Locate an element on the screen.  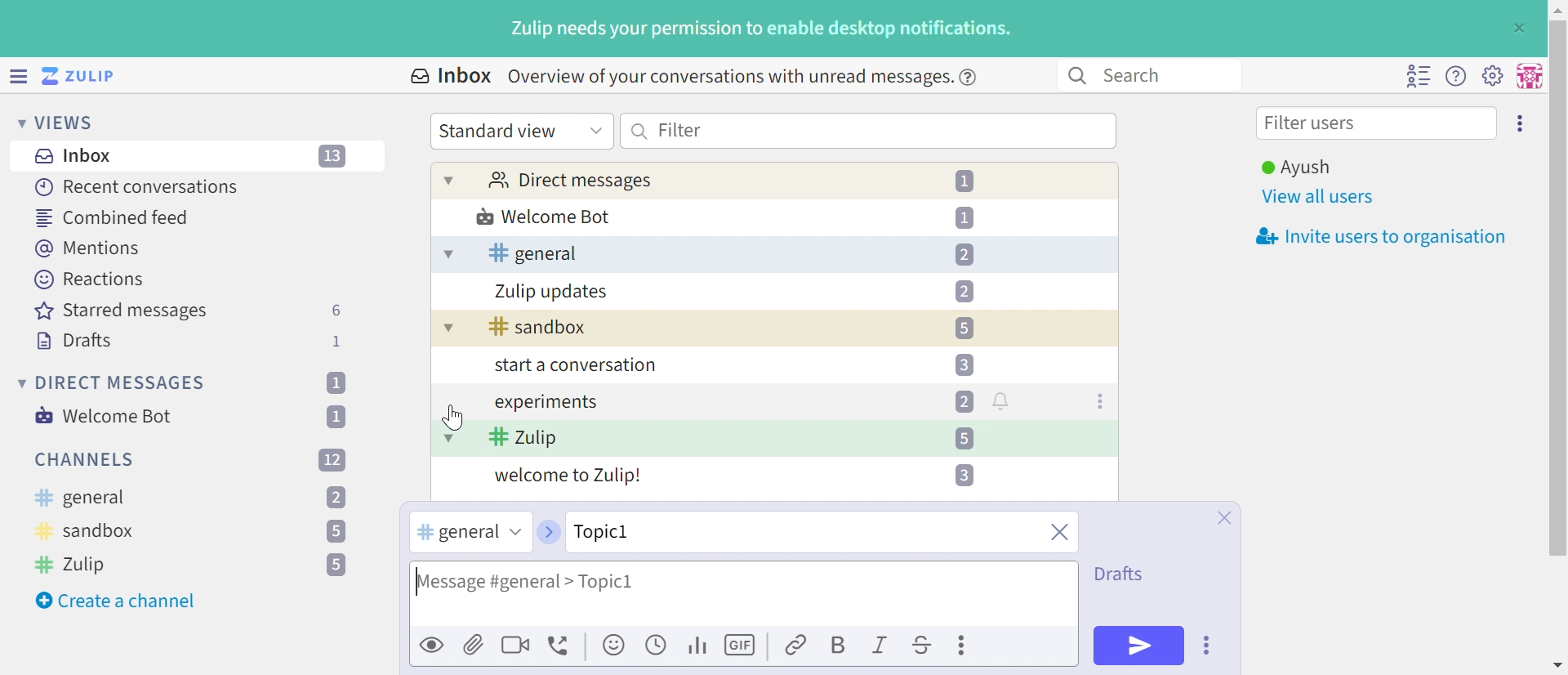
Add video call is located at coordinates (515, 644).